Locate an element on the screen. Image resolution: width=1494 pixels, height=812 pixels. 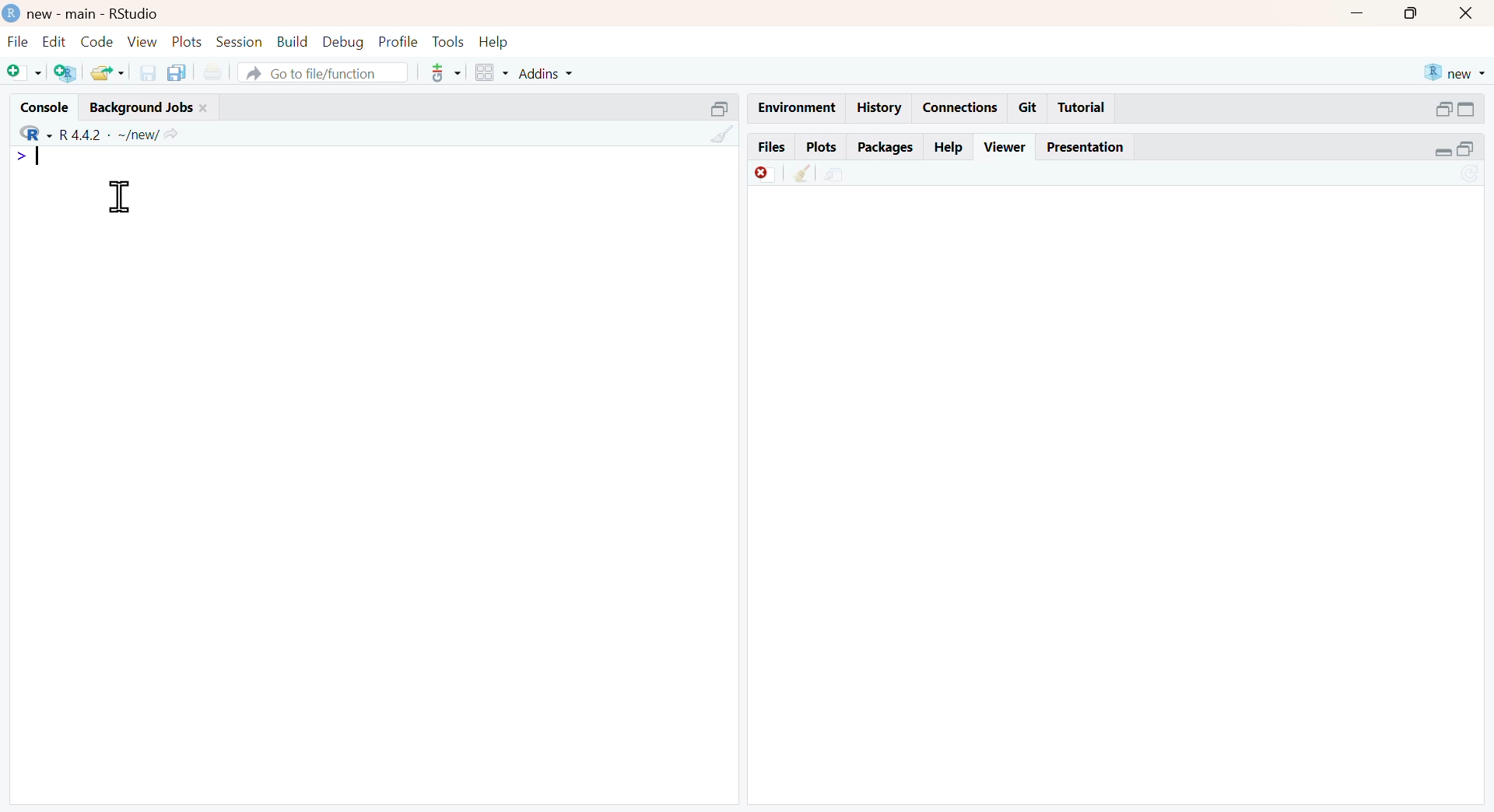
expand/collapse is located at coordinates (1443, 152).